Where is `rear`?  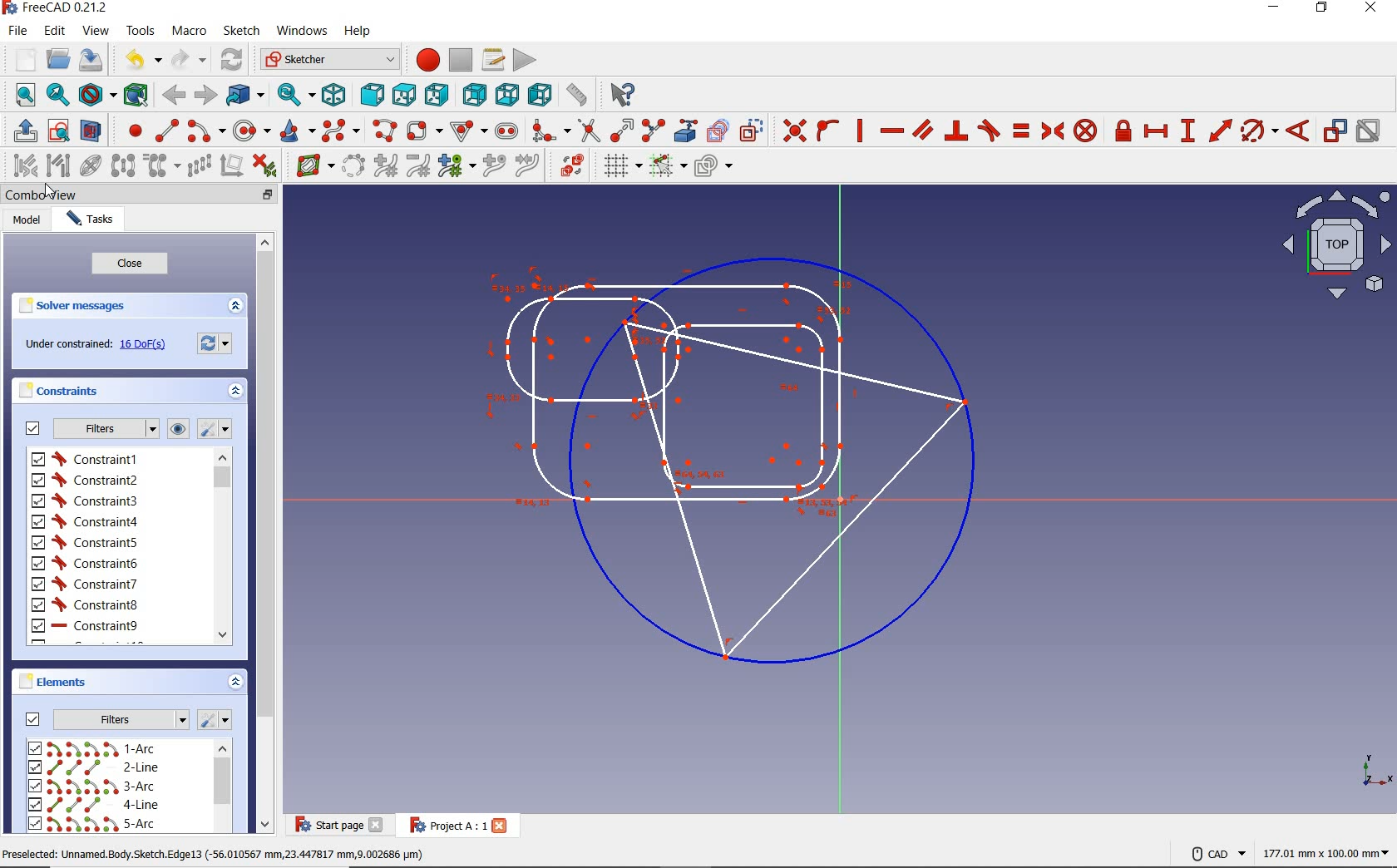
rear is located at coordinates (473, 93).